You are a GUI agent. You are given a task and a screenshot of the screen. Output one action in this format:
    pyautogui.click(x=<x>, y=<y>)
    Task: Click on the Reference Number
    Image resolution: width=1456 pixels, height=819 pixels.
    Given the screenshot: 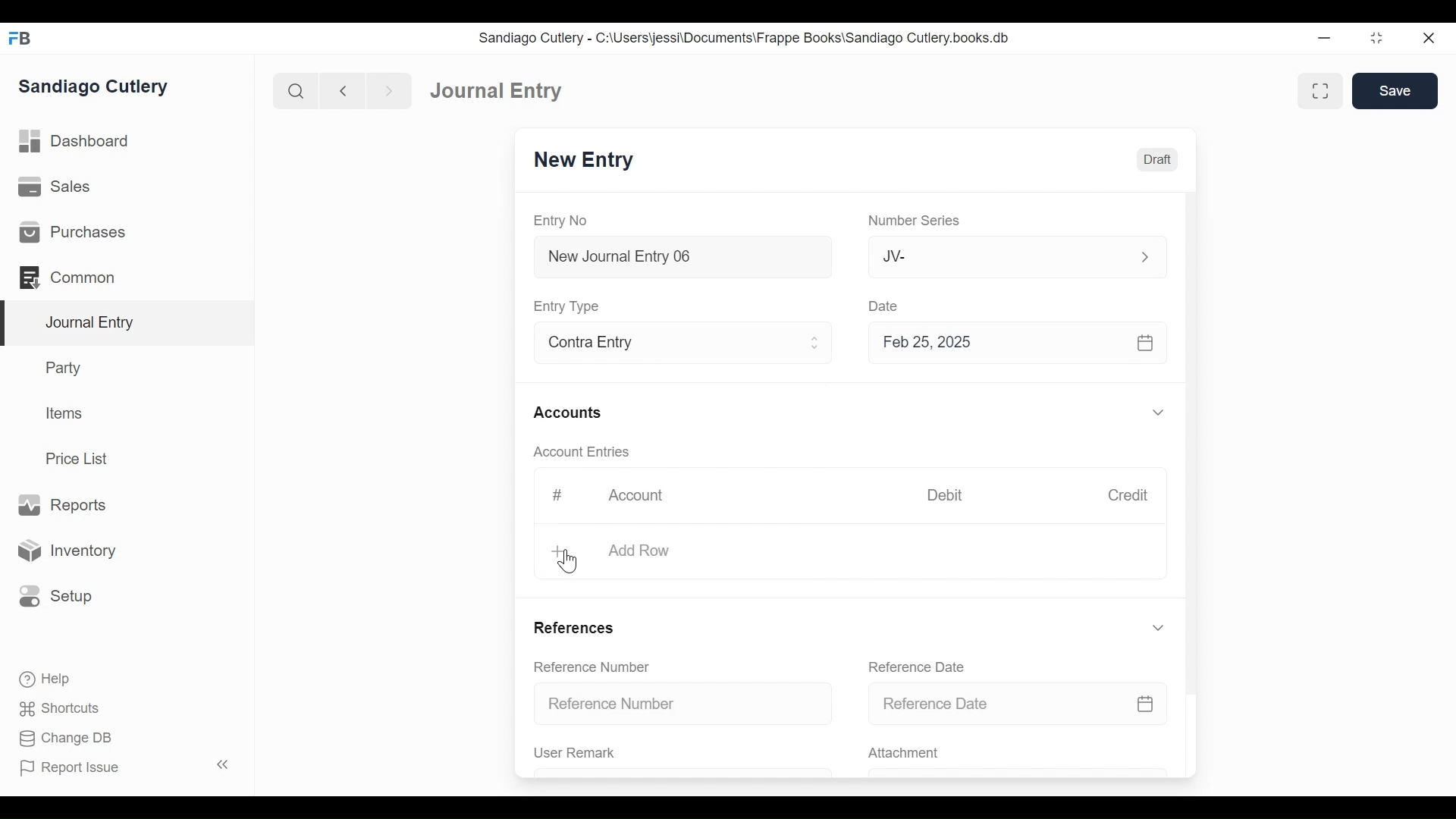 What is the action you would take?
    pyautogui.click(x=684, y=702)
    